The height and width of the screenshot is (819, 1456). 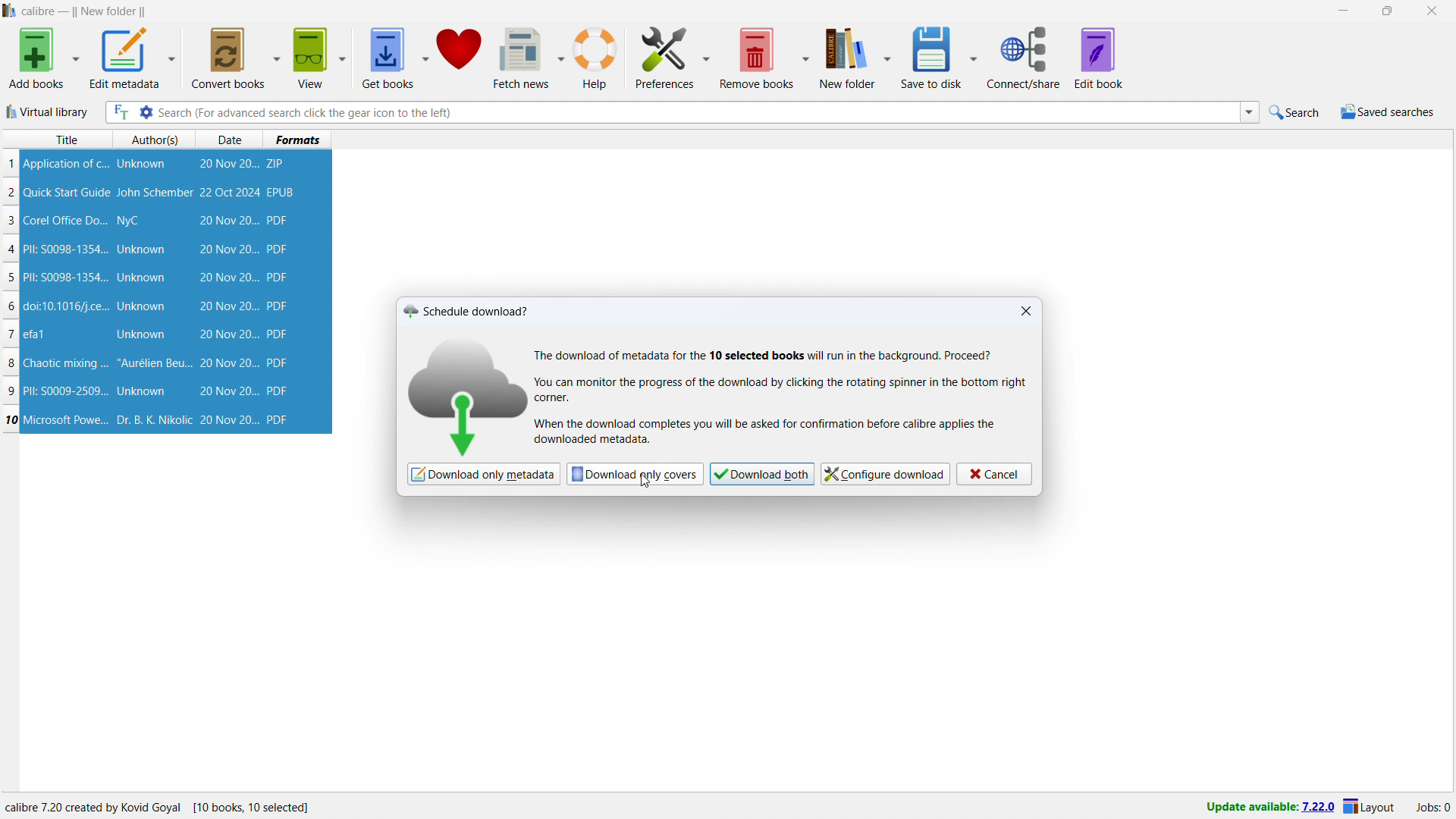 I want to click on configure download, so click(x=886, y=473).